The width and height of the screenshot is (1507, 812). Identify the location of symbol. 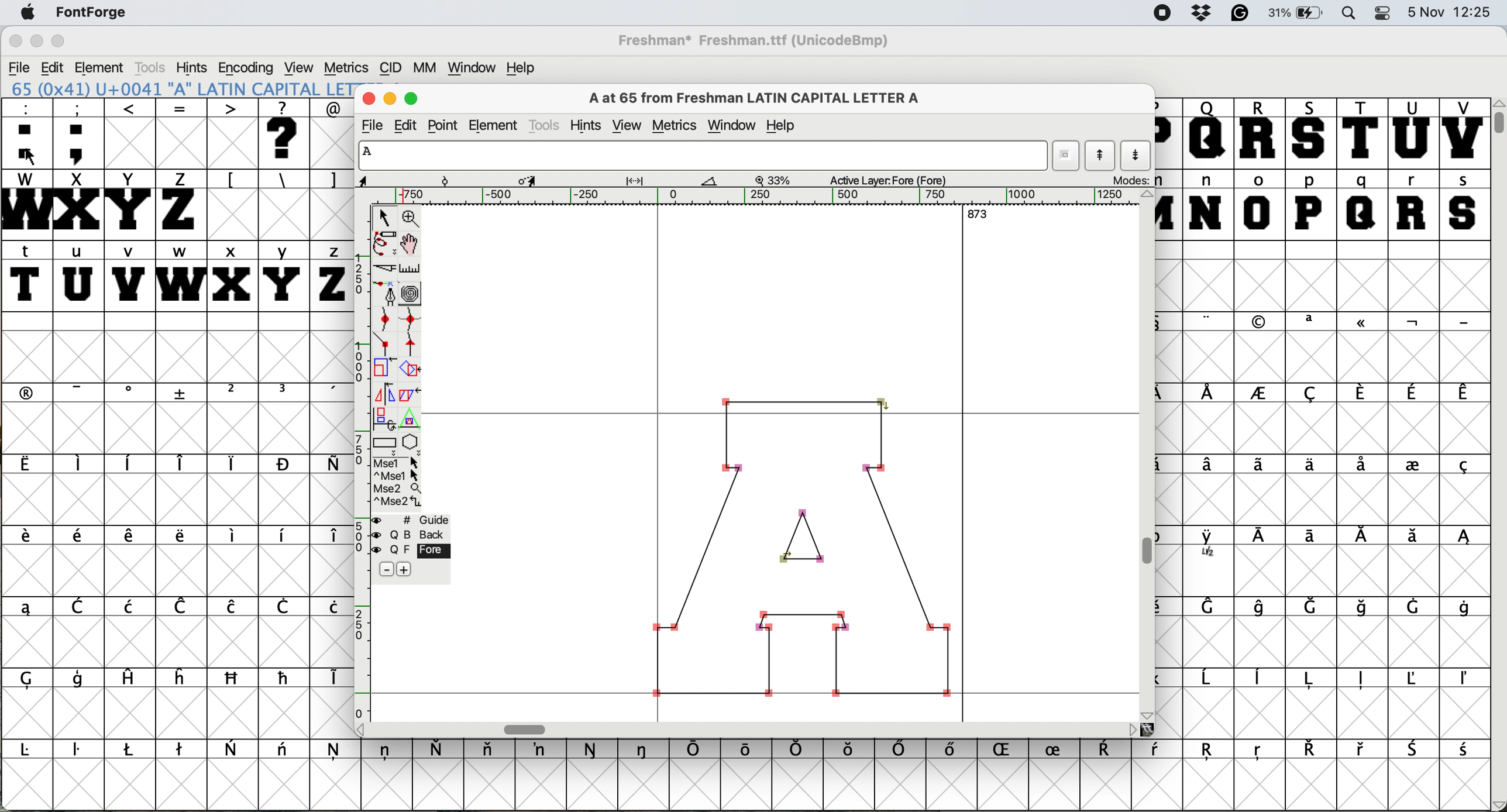
(1363, 466).